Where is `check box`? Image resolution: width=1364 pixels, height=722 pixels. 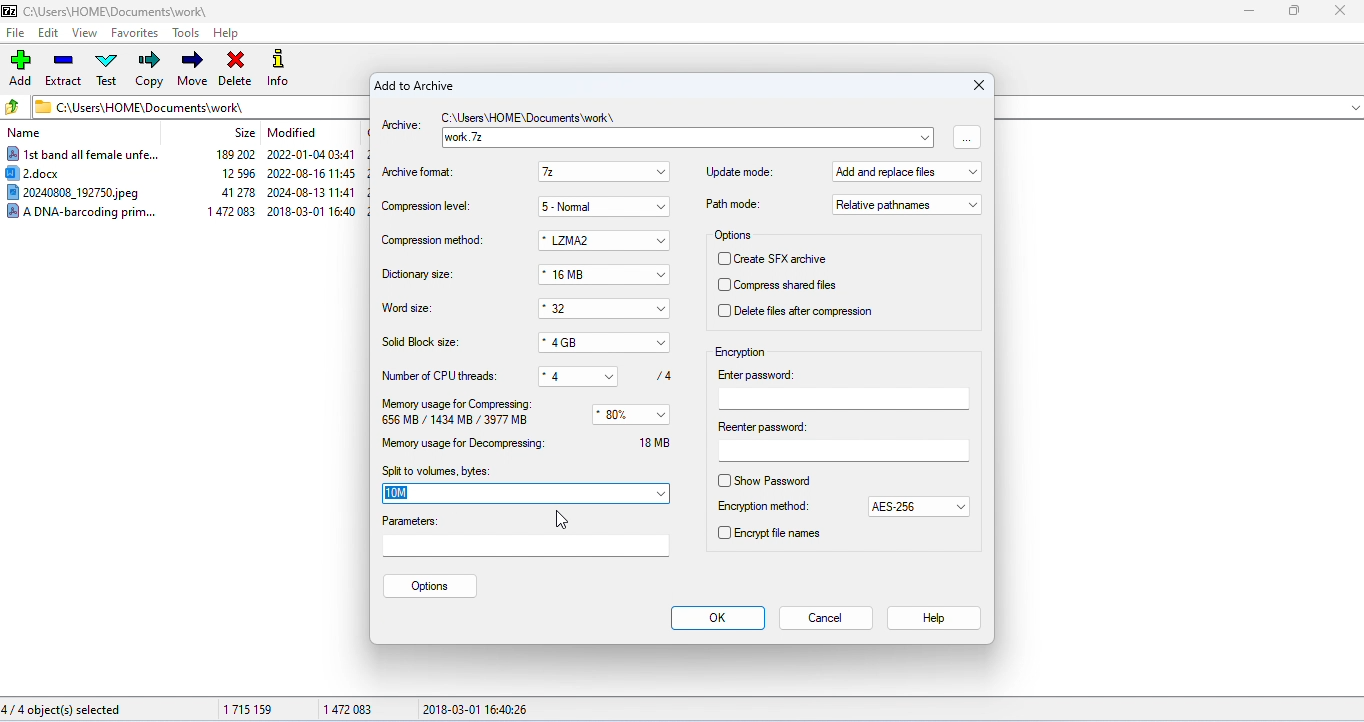 check box is located at coordinates (723, 532).